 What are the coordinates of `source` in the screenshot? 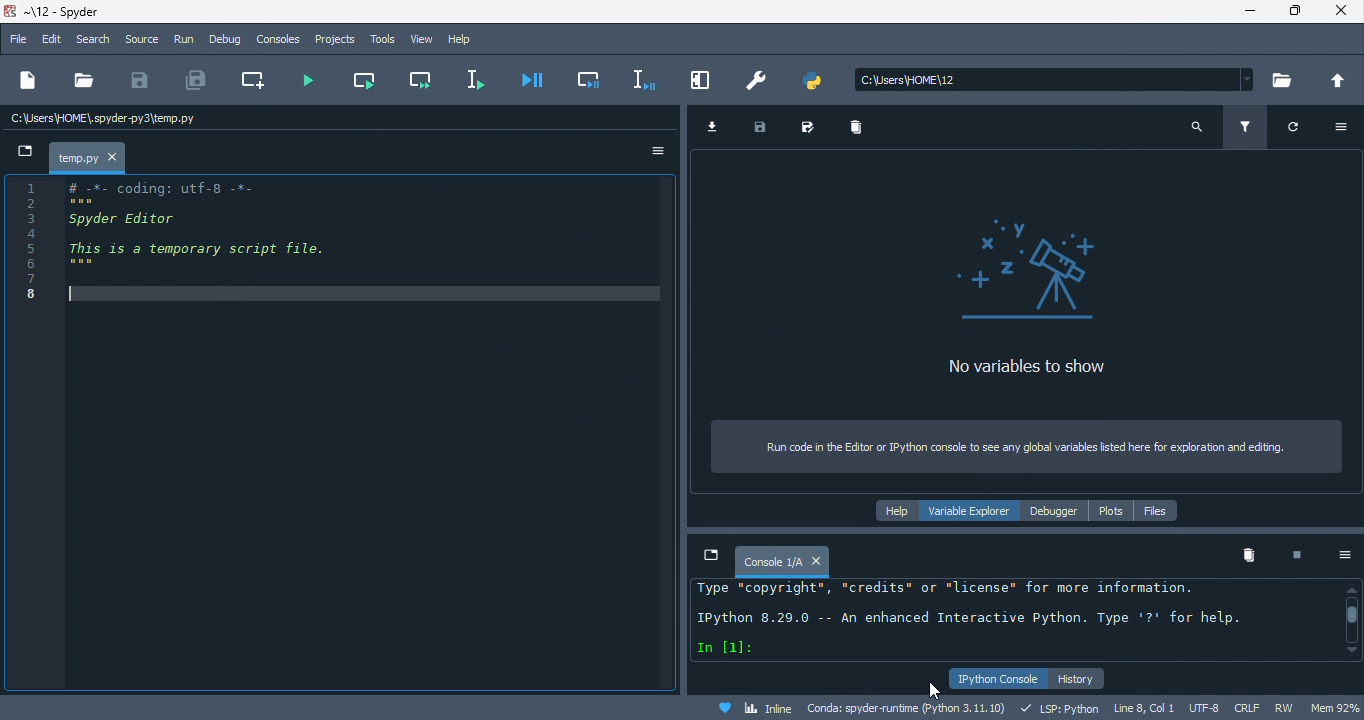 It's located at (141, 39).